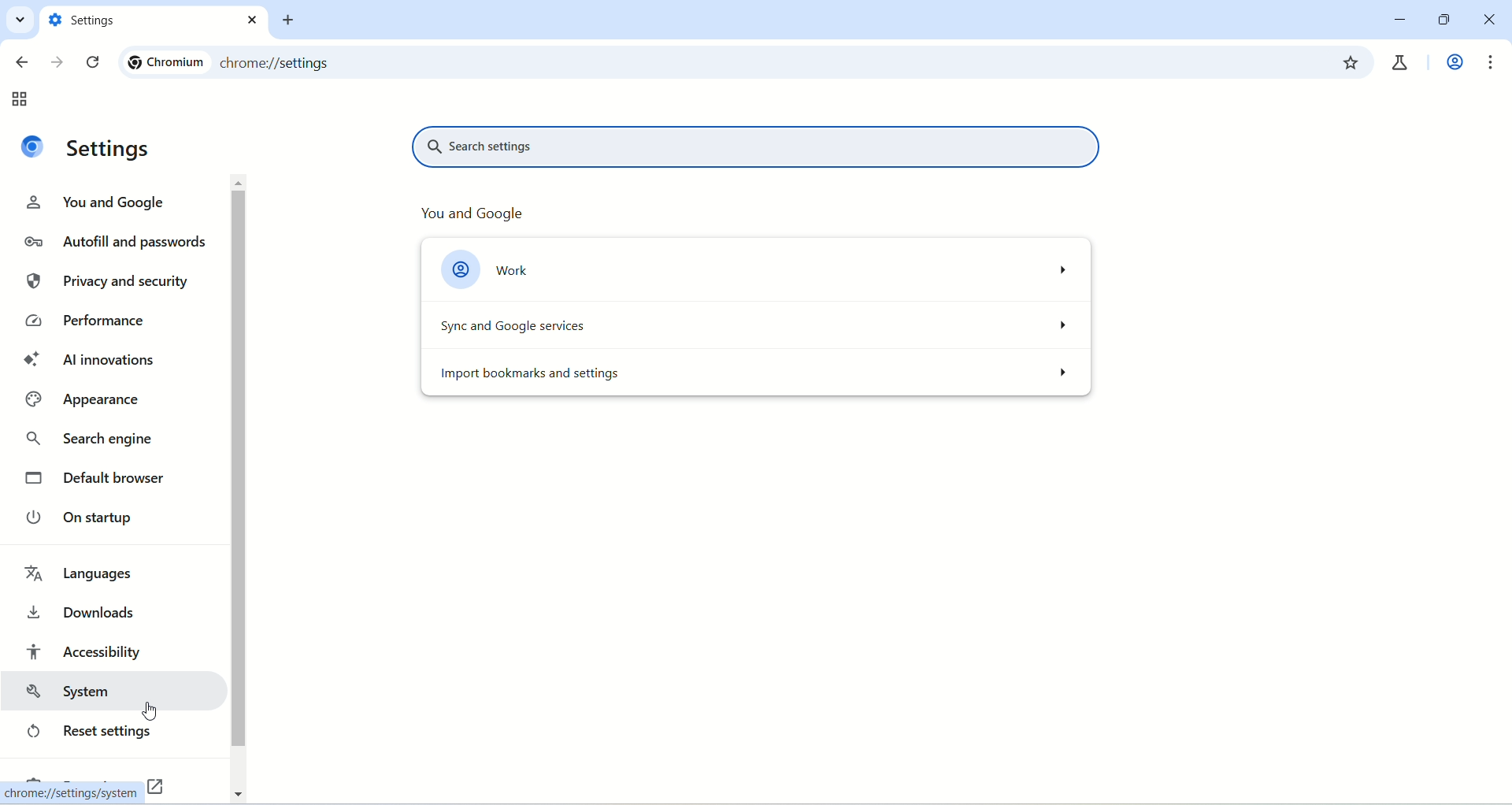 Image resolution: width=1512 pixels, height=805 pixels. I want to click on bookmark this tab, so click(1352, 61).